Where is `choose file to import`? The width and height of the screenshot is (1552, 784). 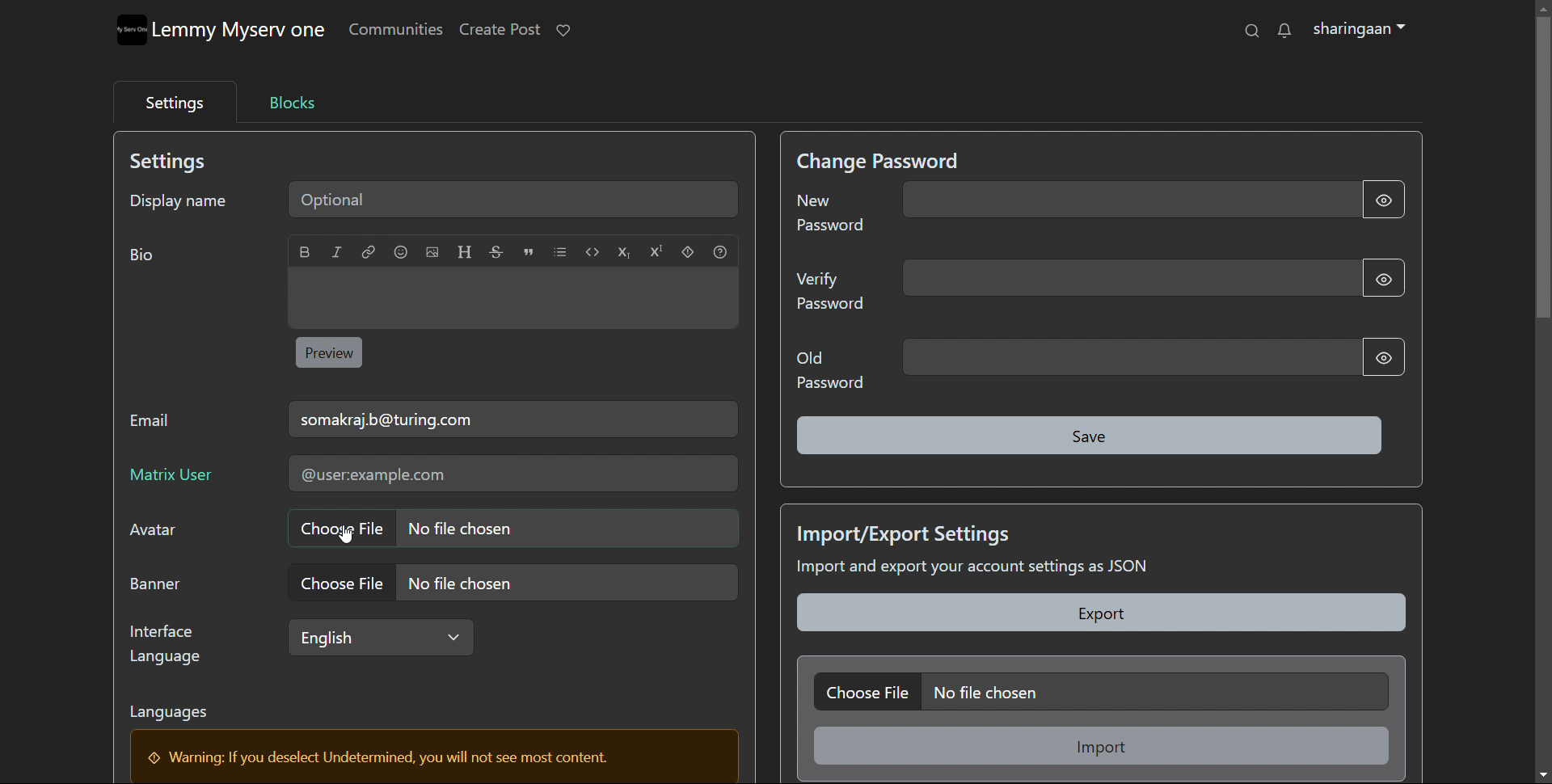
choose file to import is located at coordinates (1100, 691).